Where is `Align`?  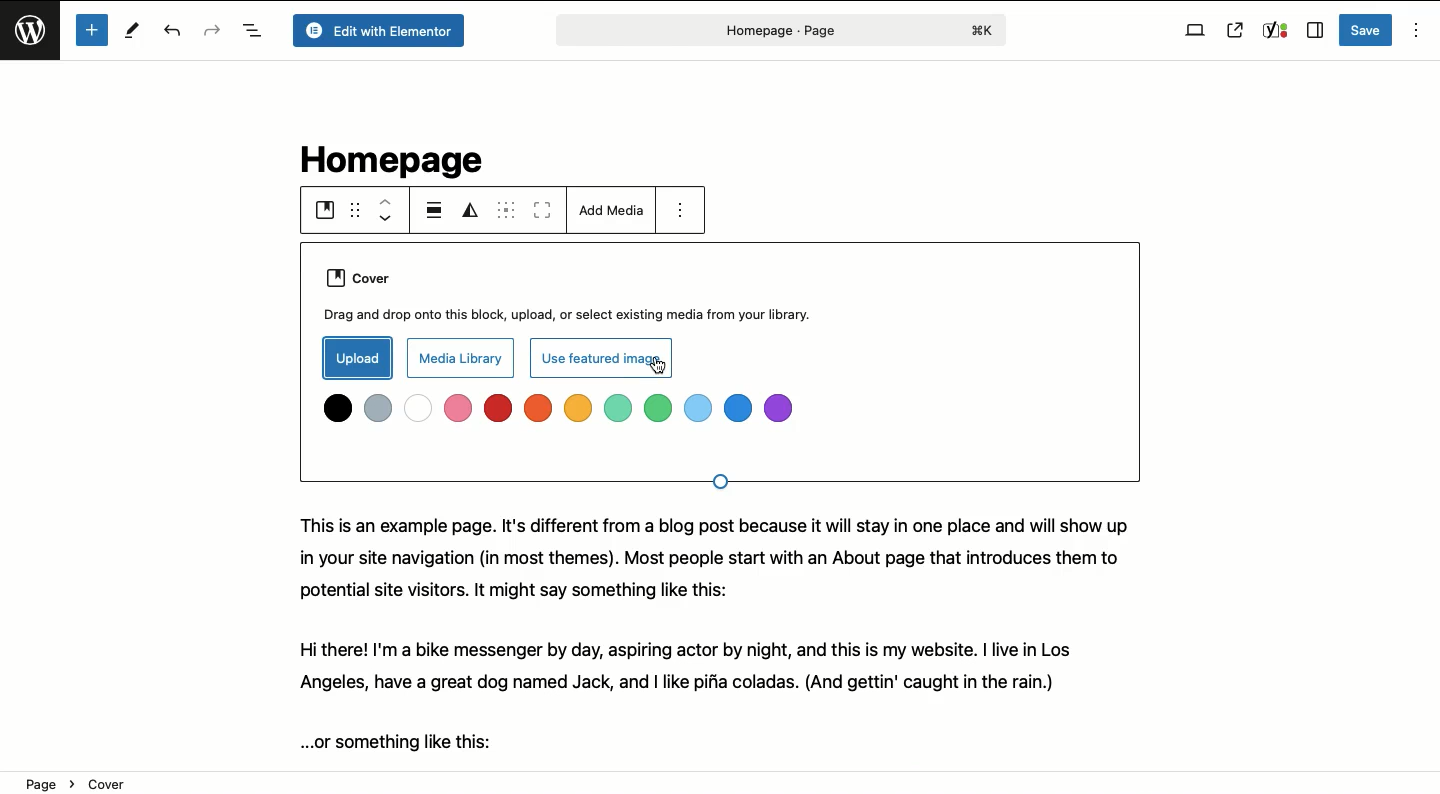
Align is located at coordinates (432, 210).